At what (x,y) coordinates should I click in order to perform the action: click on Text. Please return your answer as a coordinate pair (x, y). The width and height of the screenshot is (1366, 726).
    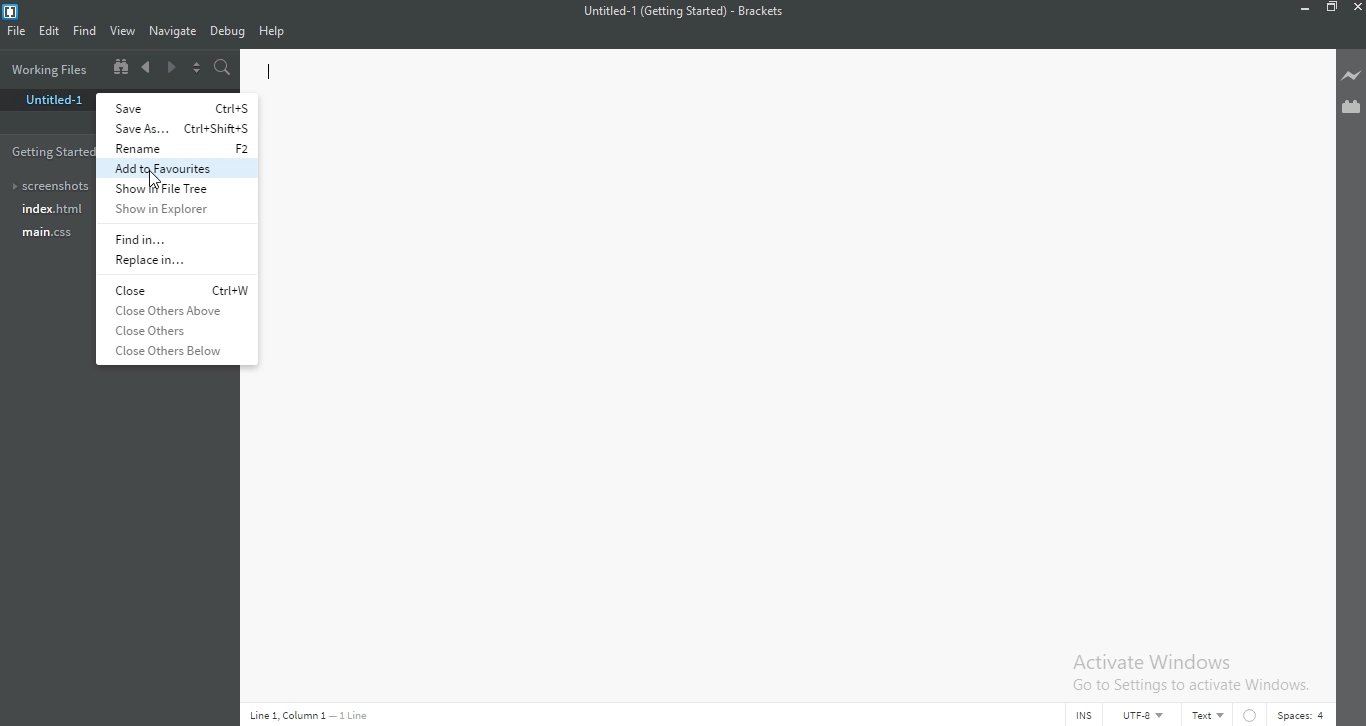
    Looking at the image, I should click on (1207, 717).